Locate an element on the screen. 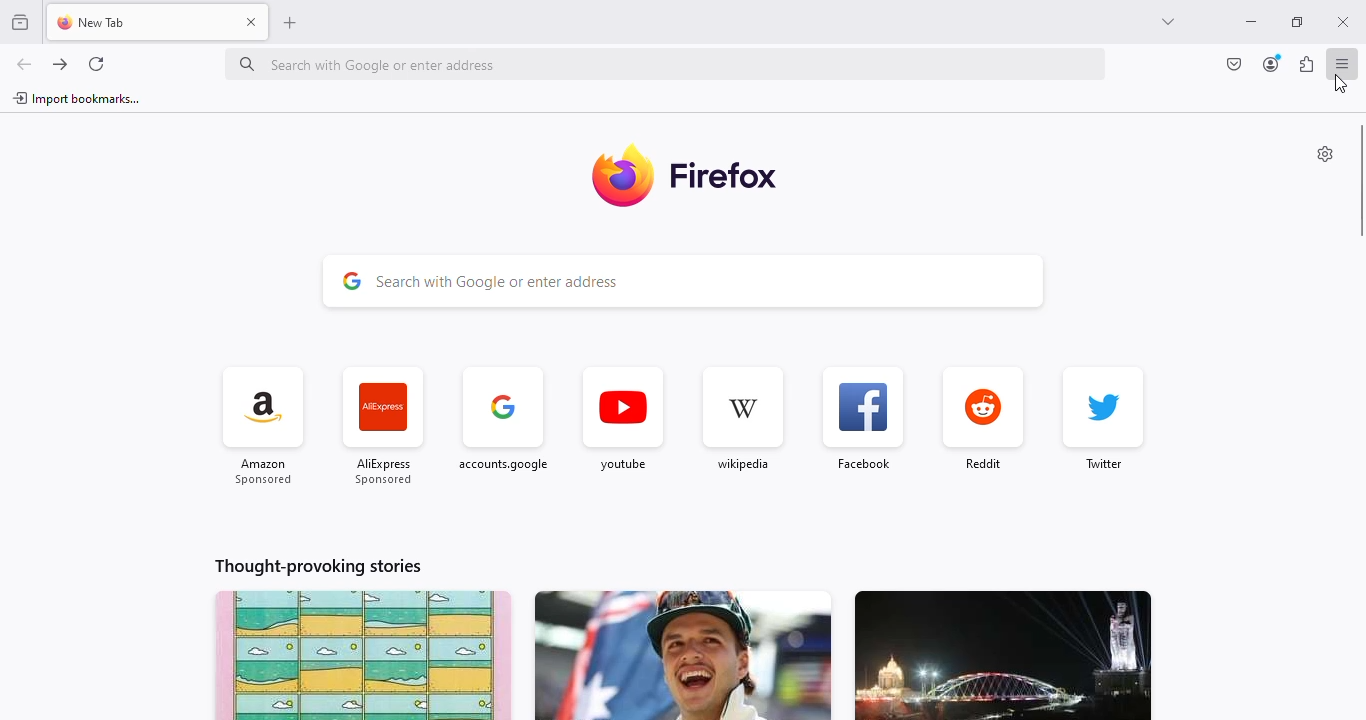  google accounts is located at coordinates (504, 426).